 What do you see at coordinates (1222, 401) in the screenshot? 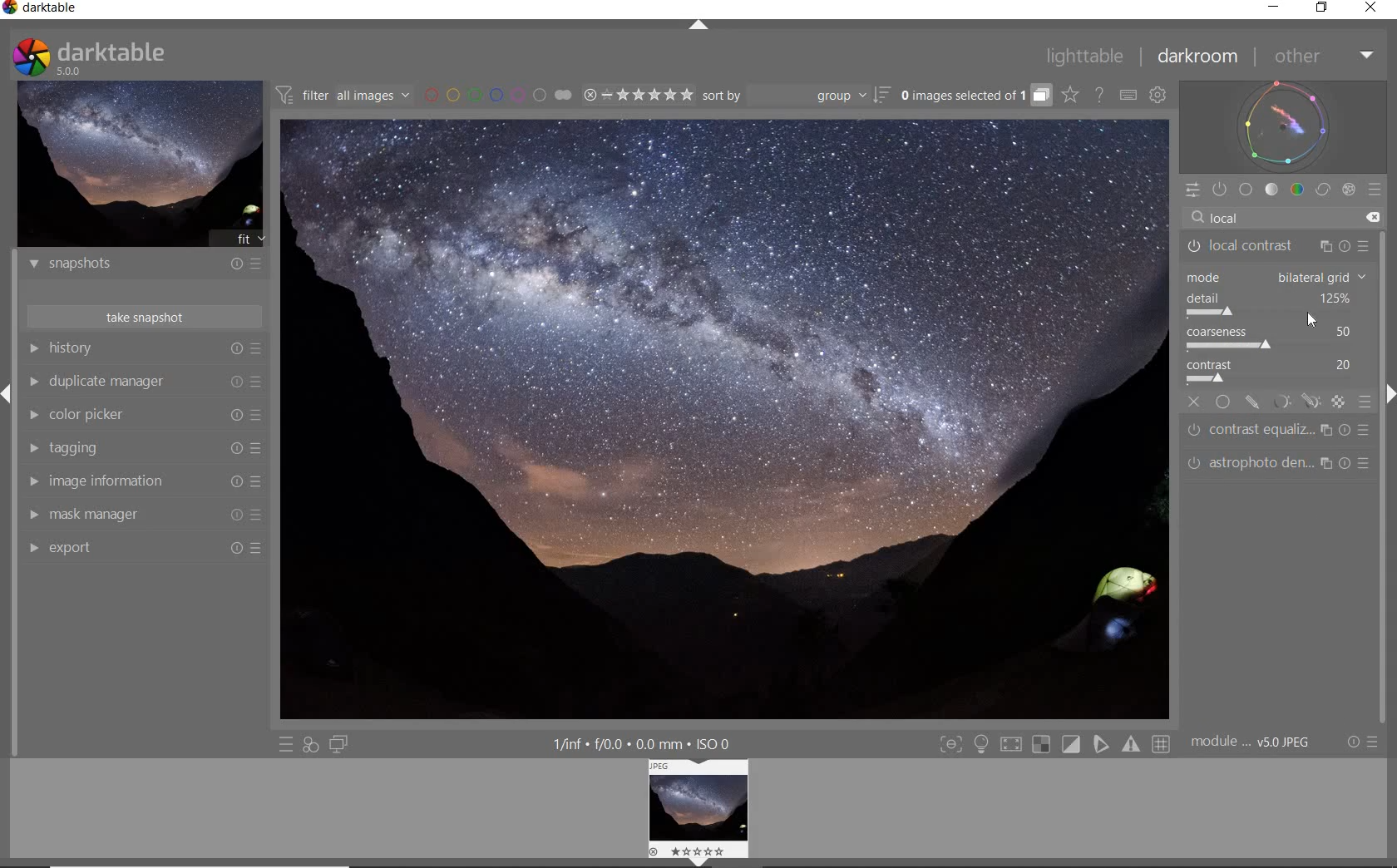
I see `uniformly` at bounding box center [1222, 401].